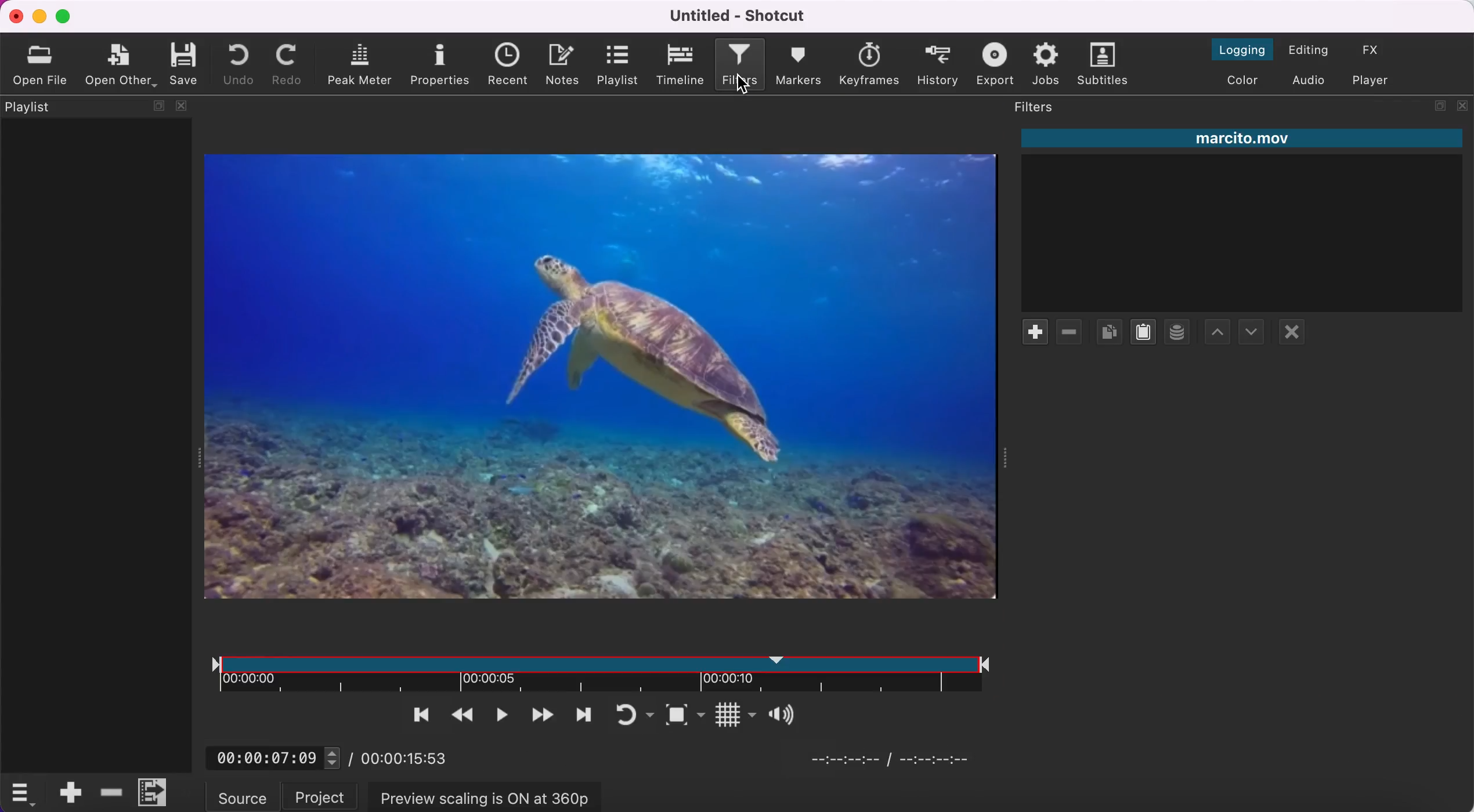 This screenshot has height=812, width=1474. What do you see at coordinates (188, 64) in the screenshot?
I see `save` at bounding box center [188, 64].